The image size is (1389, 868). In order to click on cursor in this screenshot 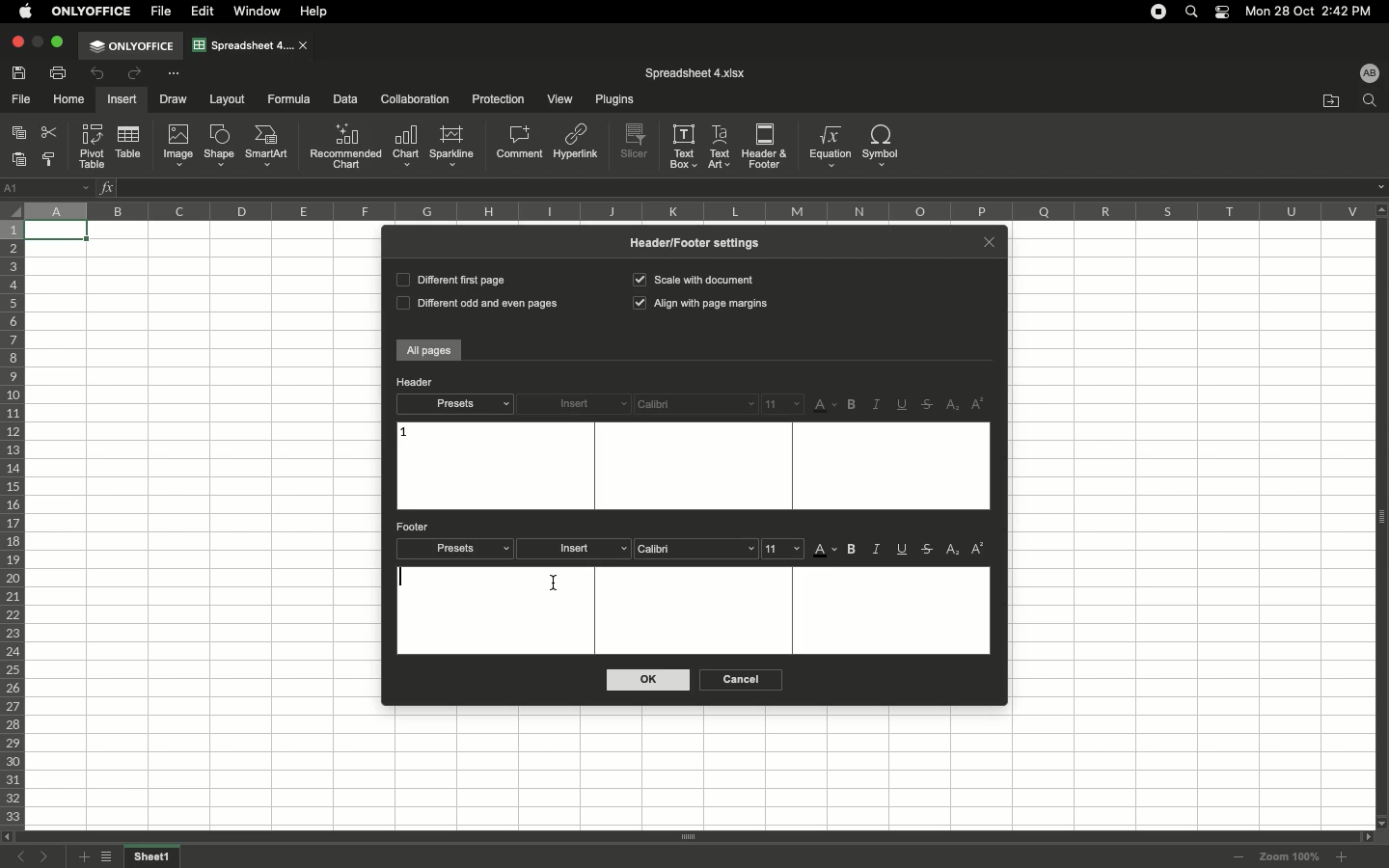, I will do `click(556, 584)`.